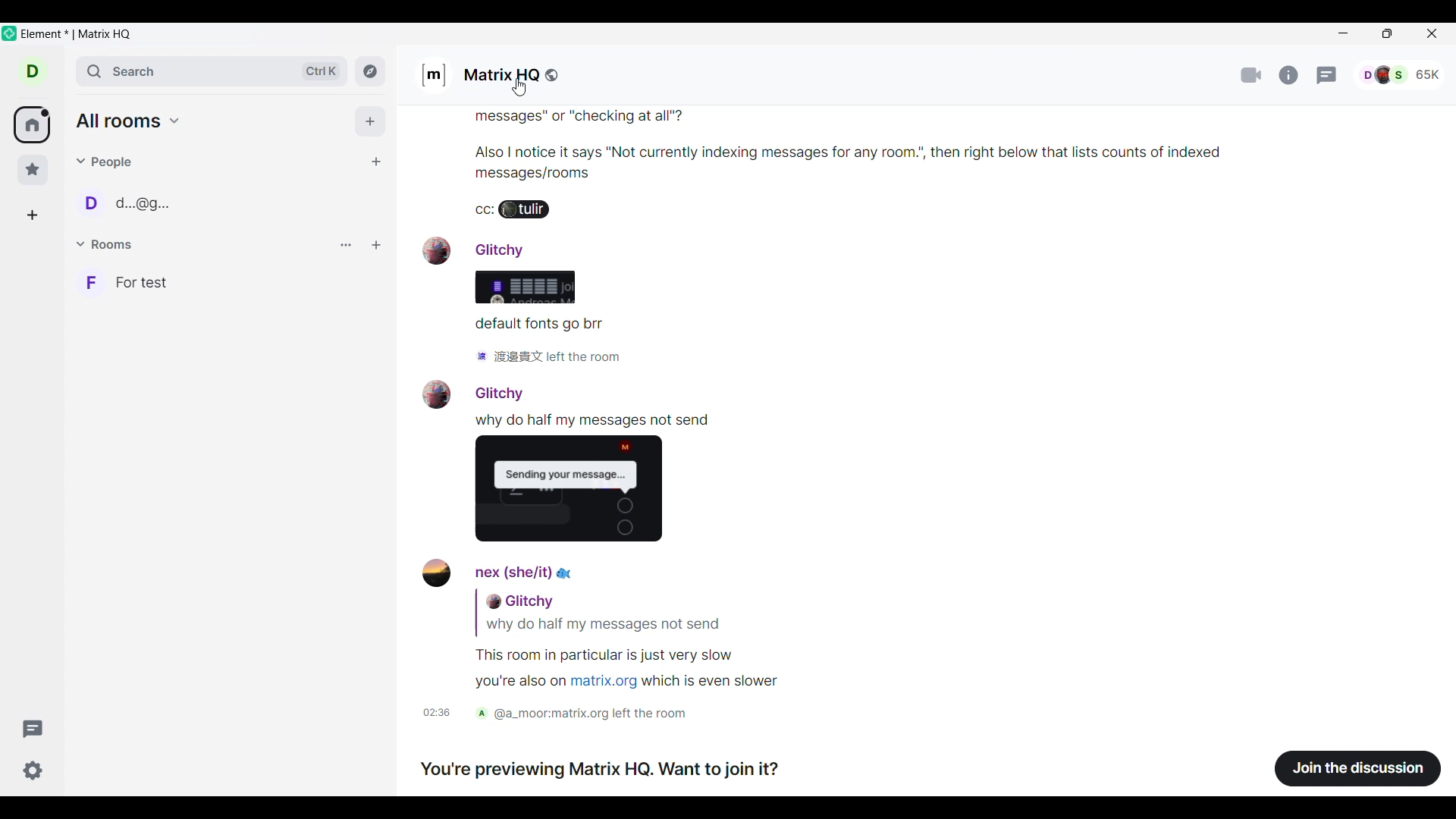  I want to click on Rooms, so click(106, 243).